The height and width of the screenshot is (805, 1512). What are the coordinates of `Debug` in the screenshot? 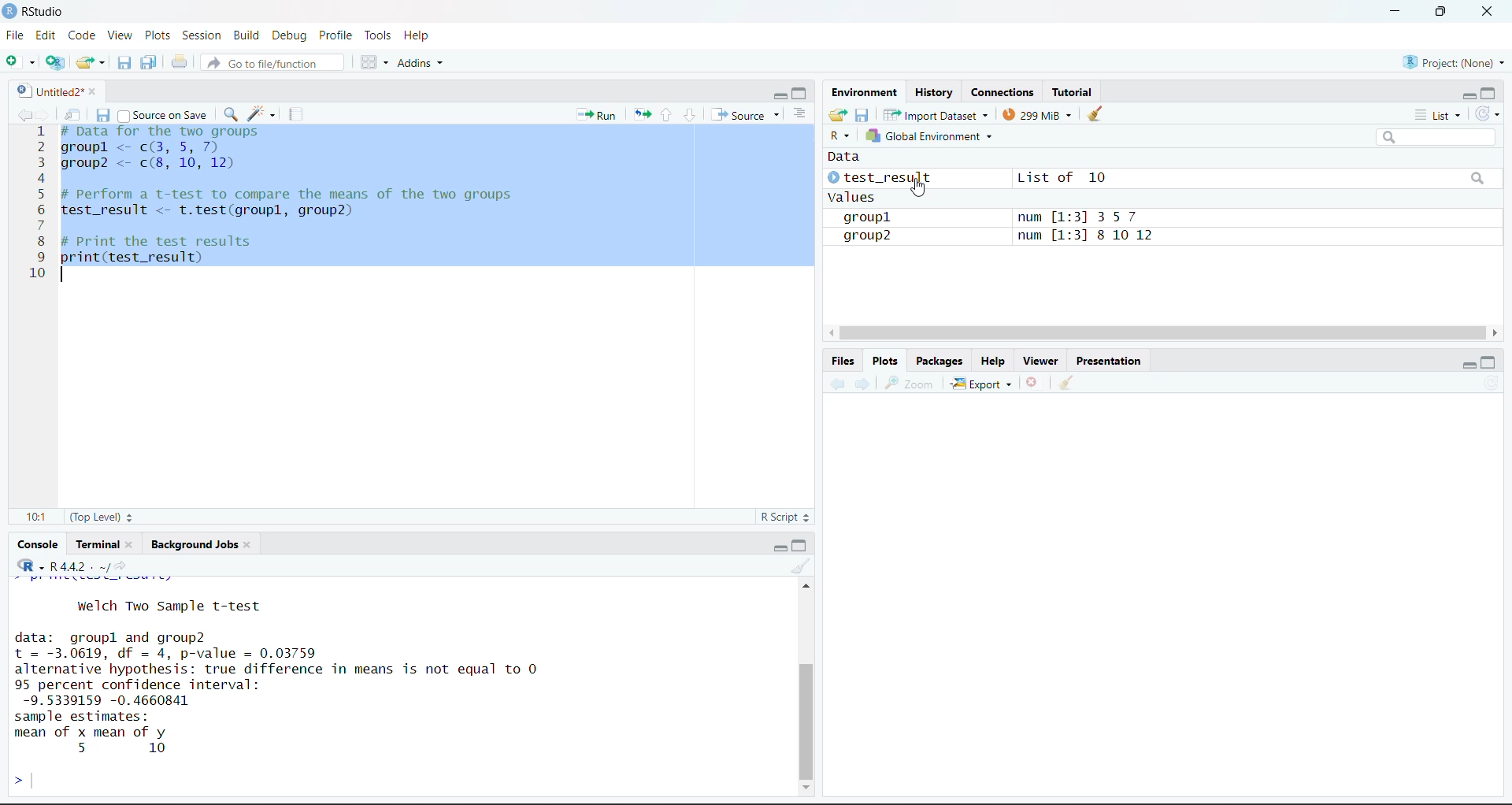 It's located at (290, 35).